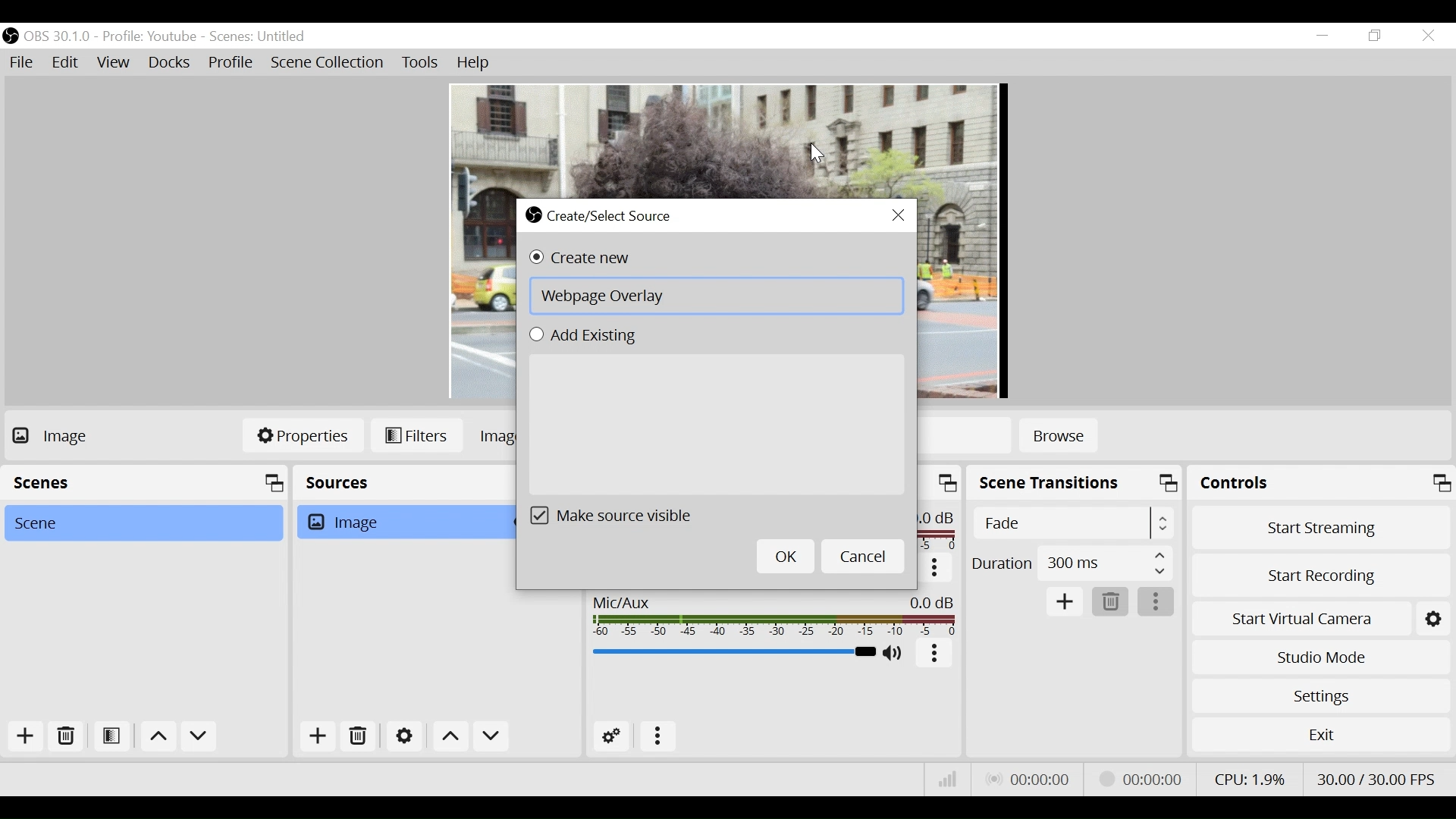 The width and height of the screenshot is (1456, 819). Describe the element at coordinates (1376, 780) in the screenshot. I see `Frame Per Second` at that location.